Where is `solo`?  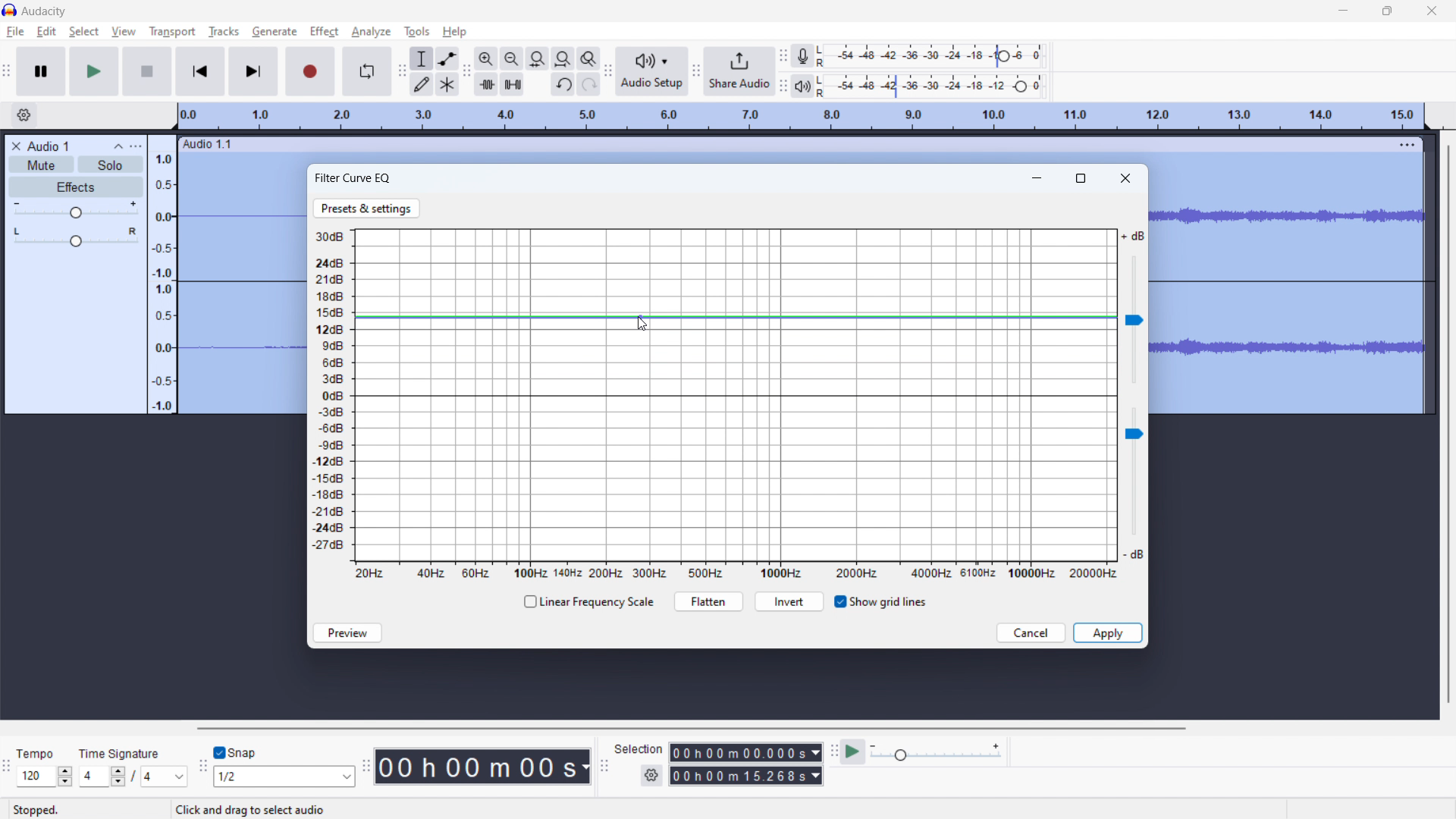
solo is located at coordinates (110, 165).